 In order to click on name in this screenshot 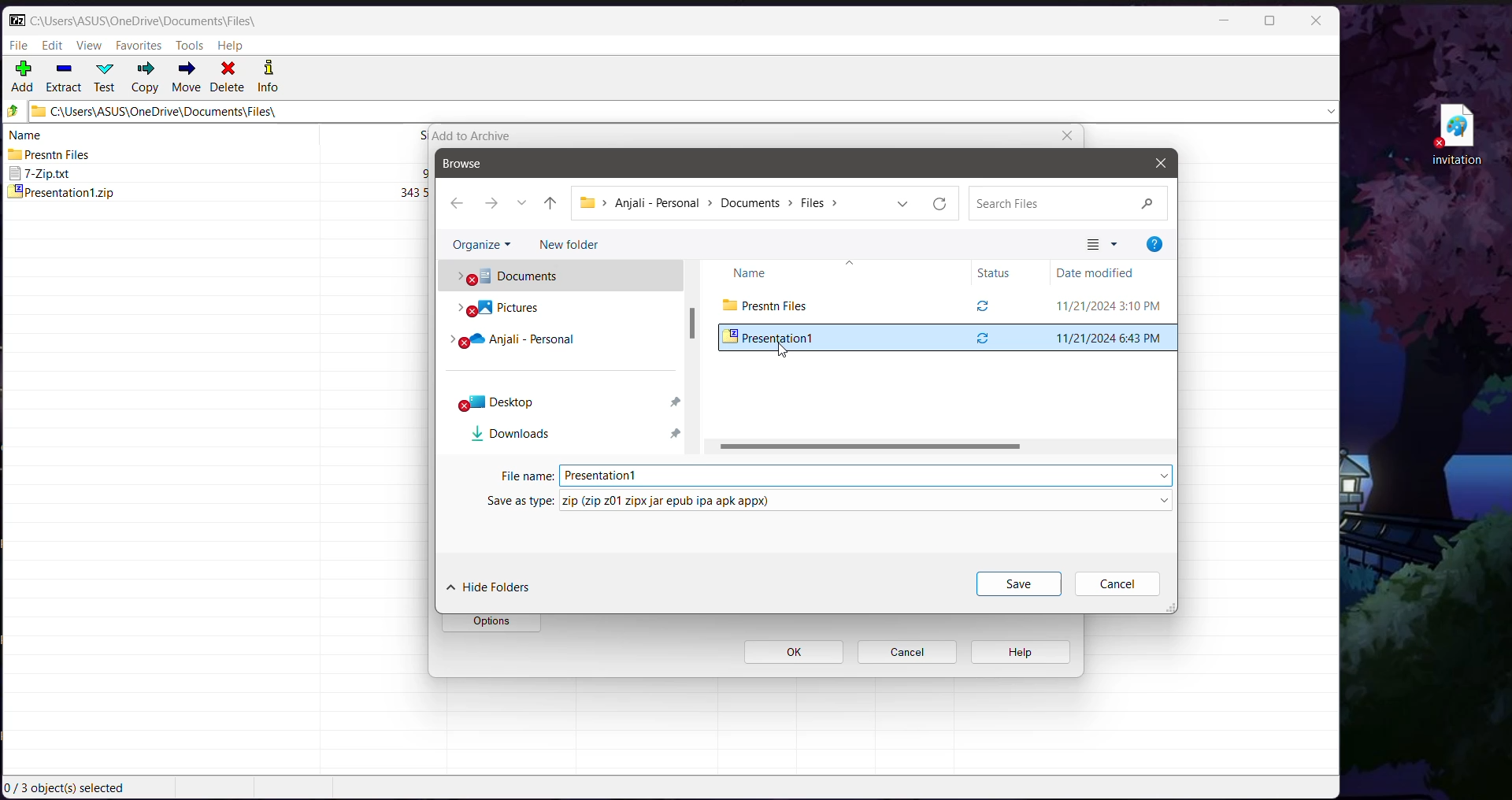, I will do `click(26, 134)`.